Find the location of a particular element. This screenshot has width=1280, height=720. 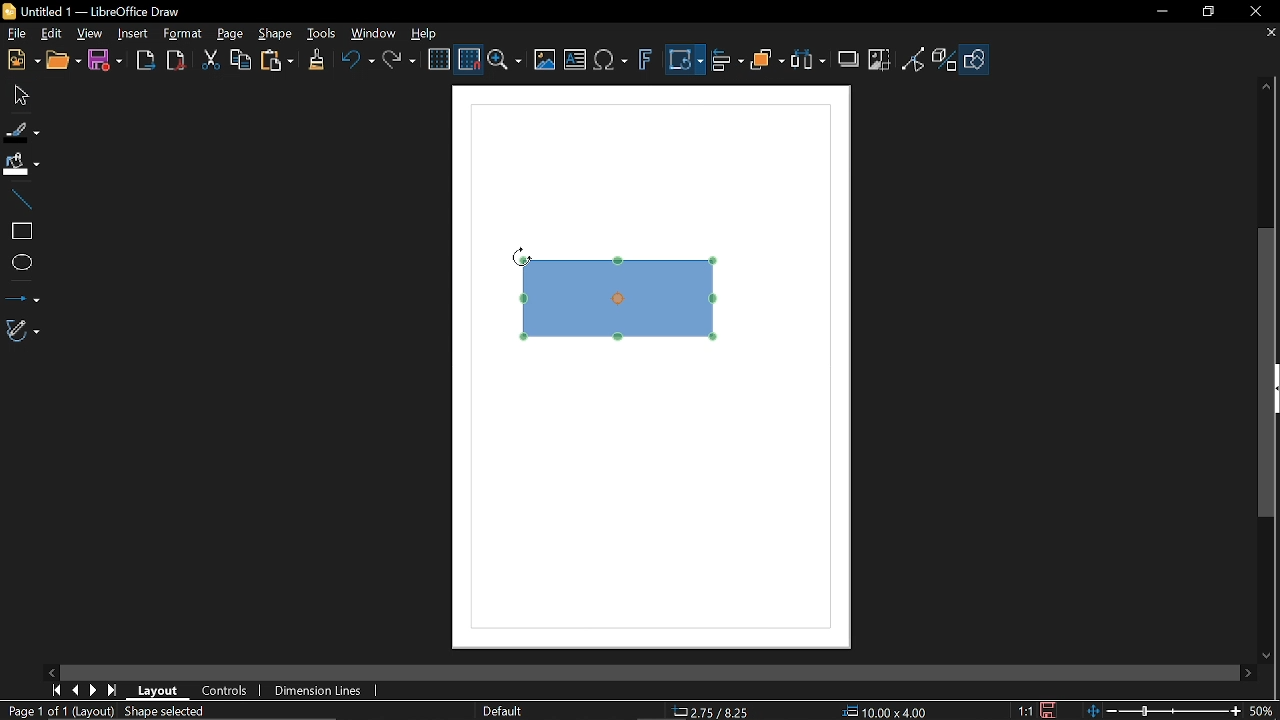

Change zoom is located at coordinates (1166, 712).